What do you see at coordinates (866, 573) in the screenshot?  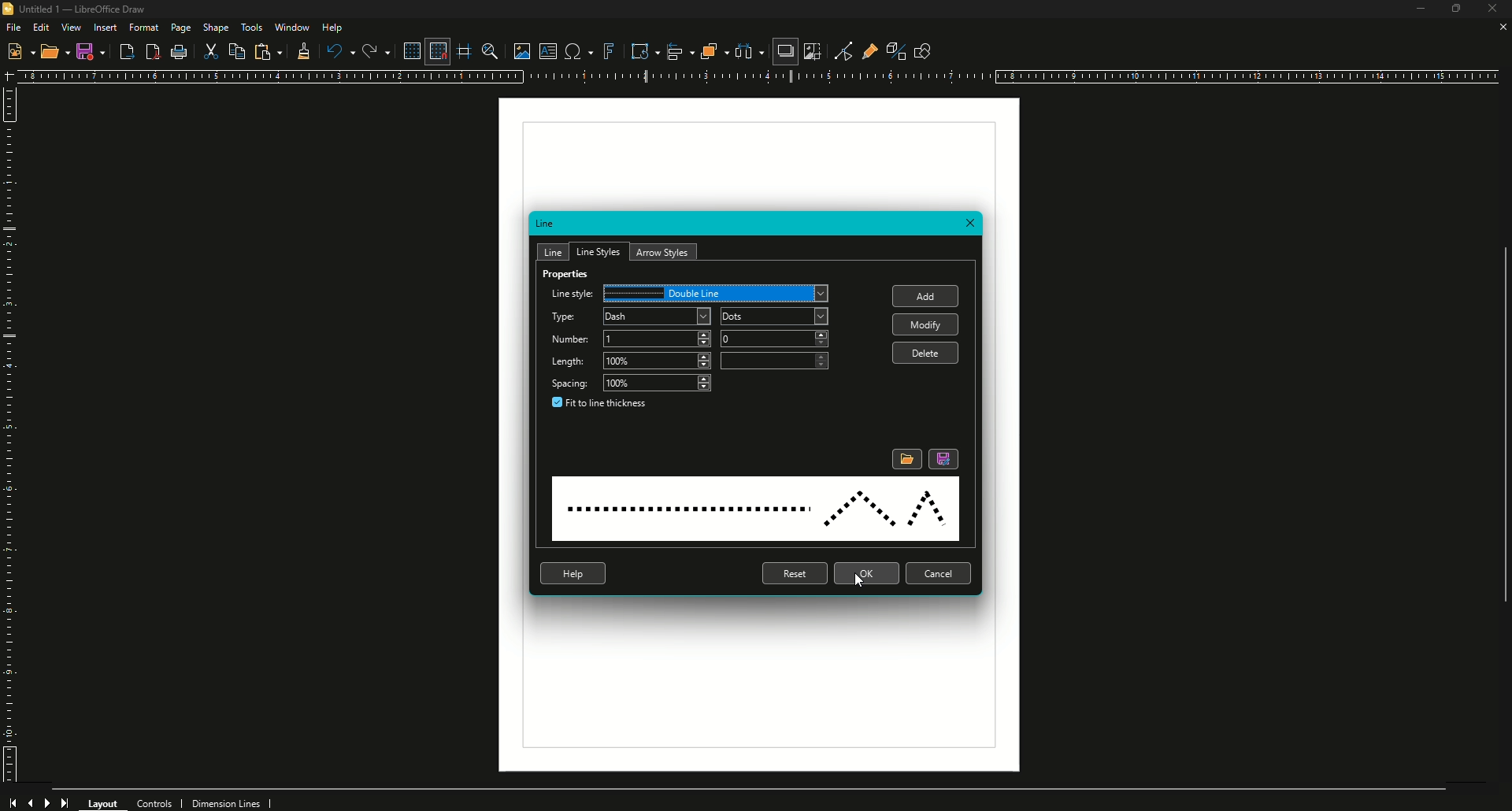 I see `OK` at bounding box center [866, 573].